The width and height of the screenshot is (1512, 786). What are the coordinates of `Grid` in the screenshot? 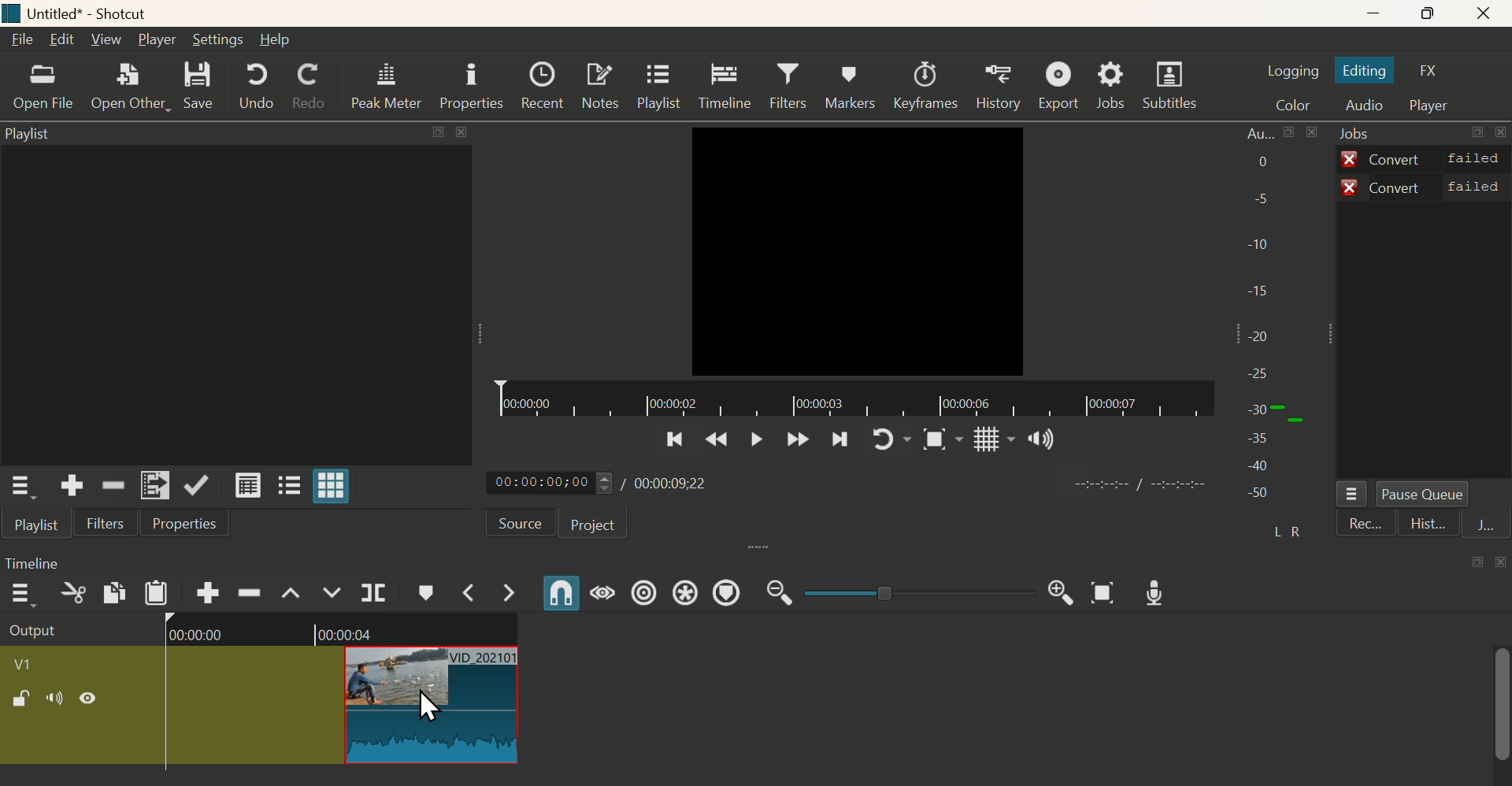 It's located at (985, 442).